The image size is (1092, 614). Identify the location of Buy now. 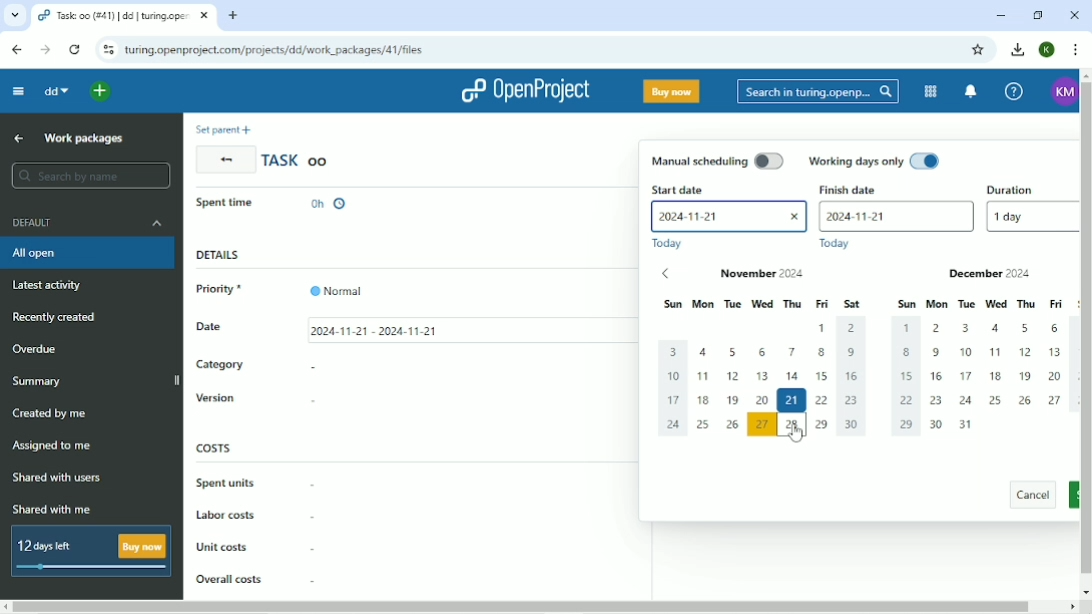
(672, 92).